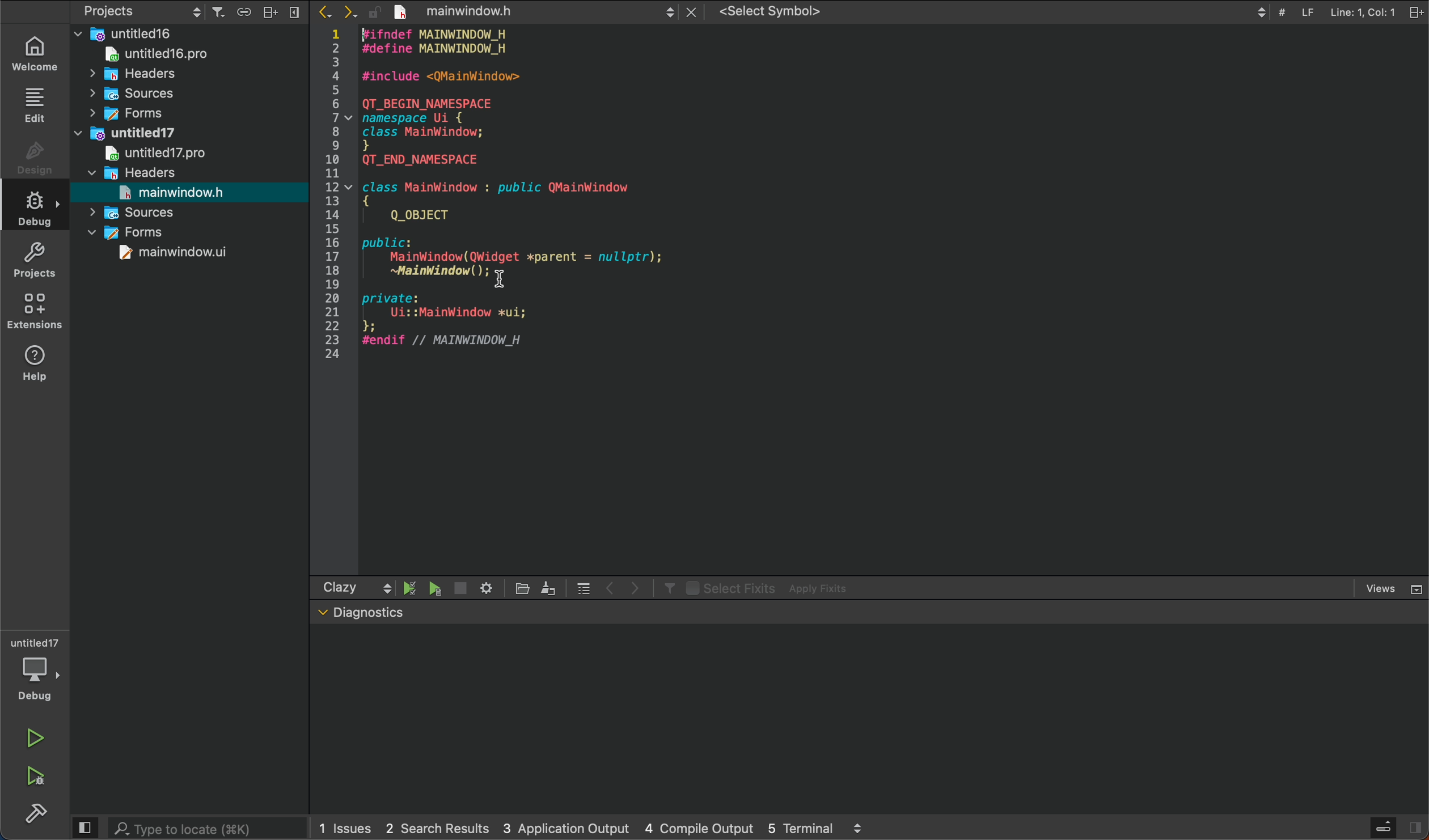  I want to click on Number index, so click(337, 205).